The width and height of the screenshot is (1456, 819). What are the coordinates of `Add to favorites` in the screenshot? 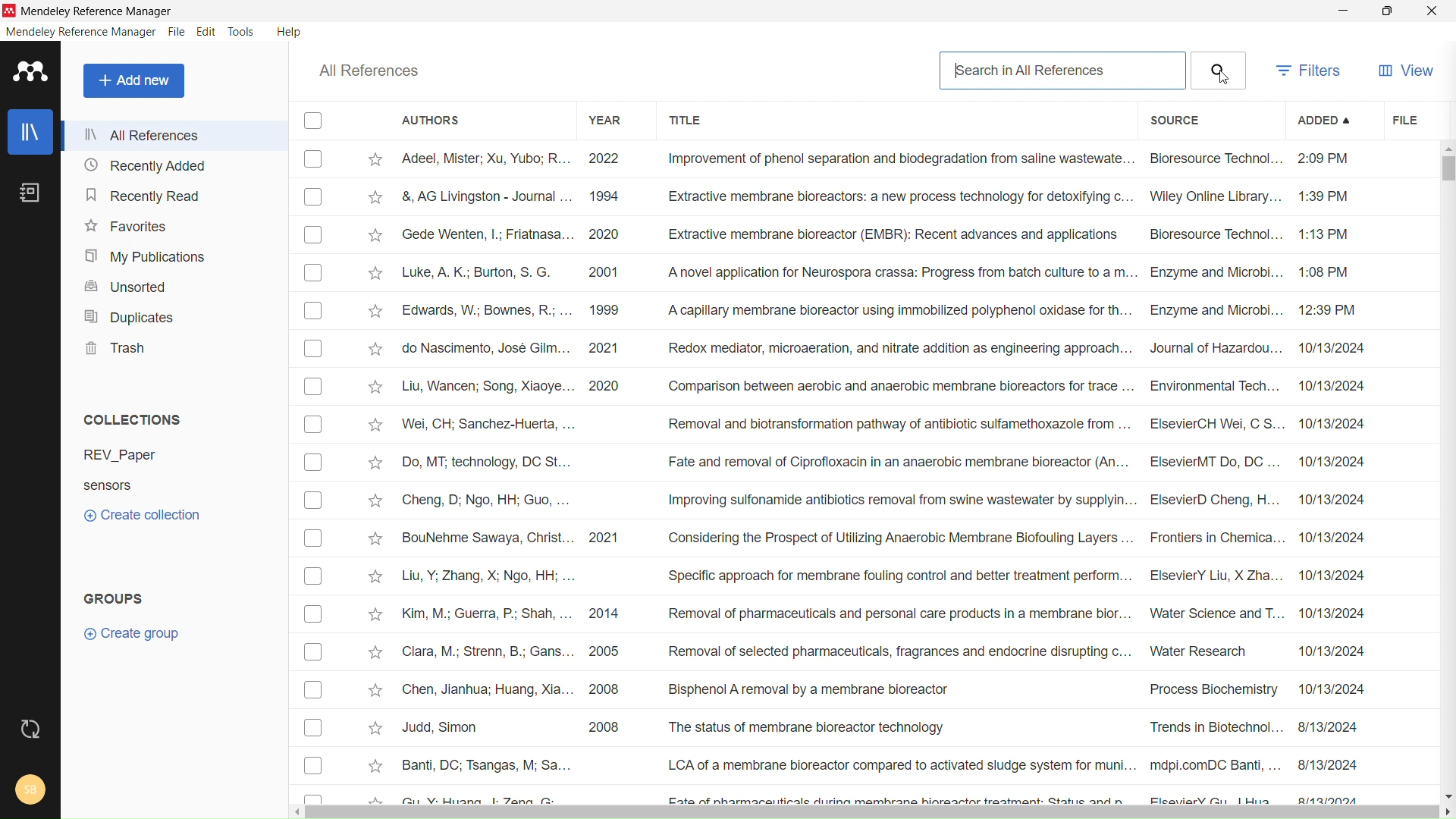 It's located at (373, 309).